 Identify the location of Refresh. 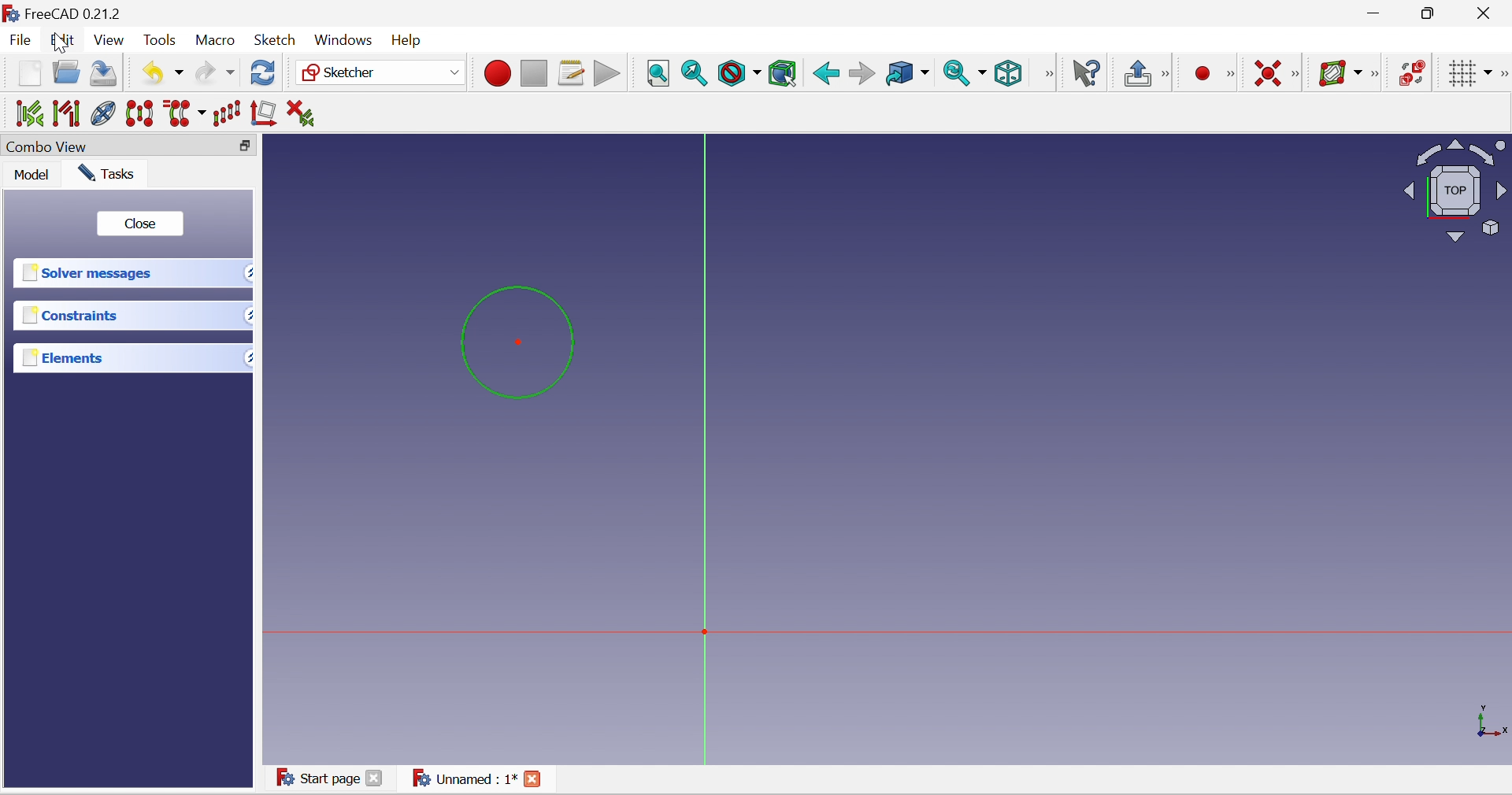
(265, 74).